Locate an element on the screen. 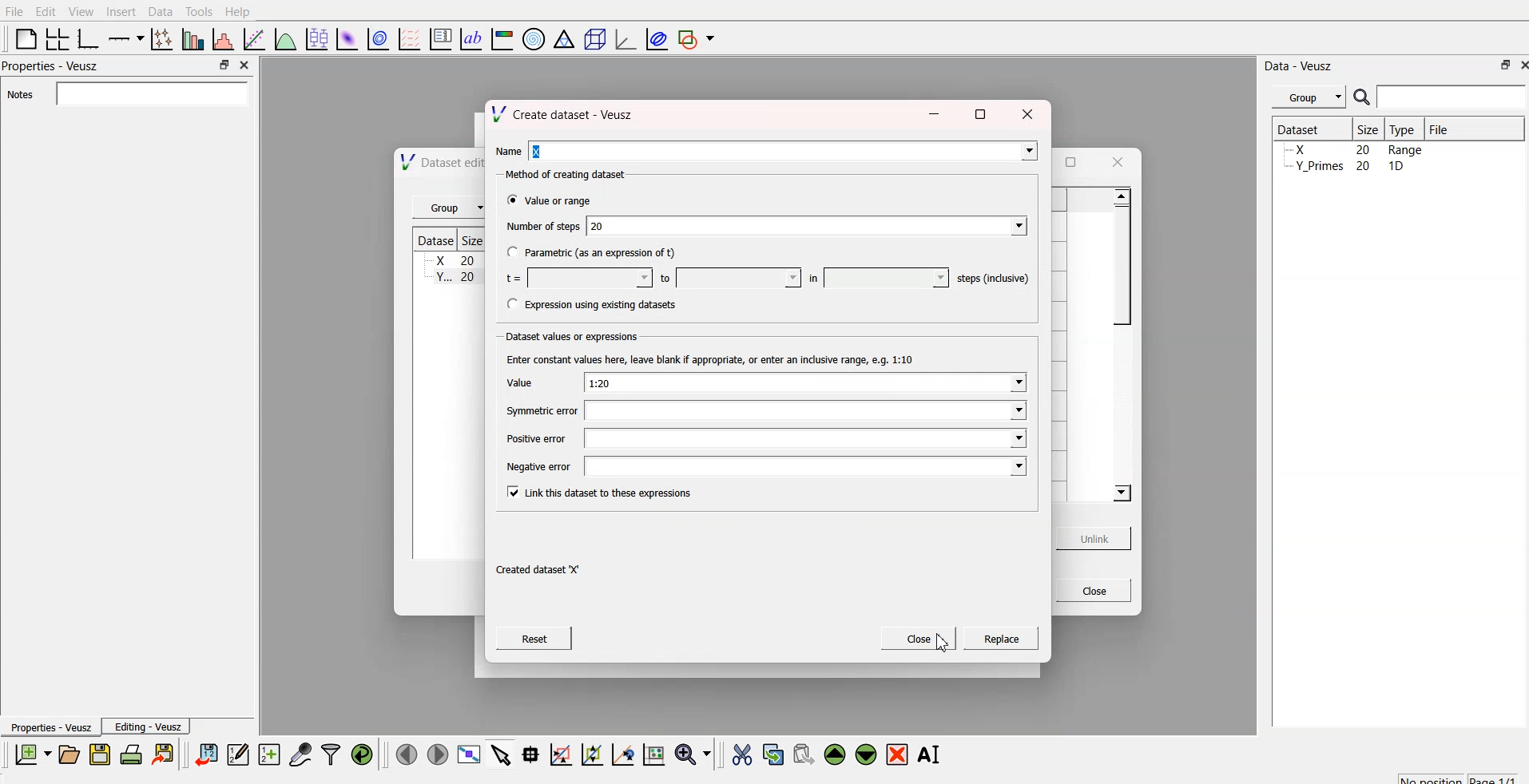 The width and height of the screenshot is (1529, 784). y planes 20 10 is located at coordinates (1344, 165).